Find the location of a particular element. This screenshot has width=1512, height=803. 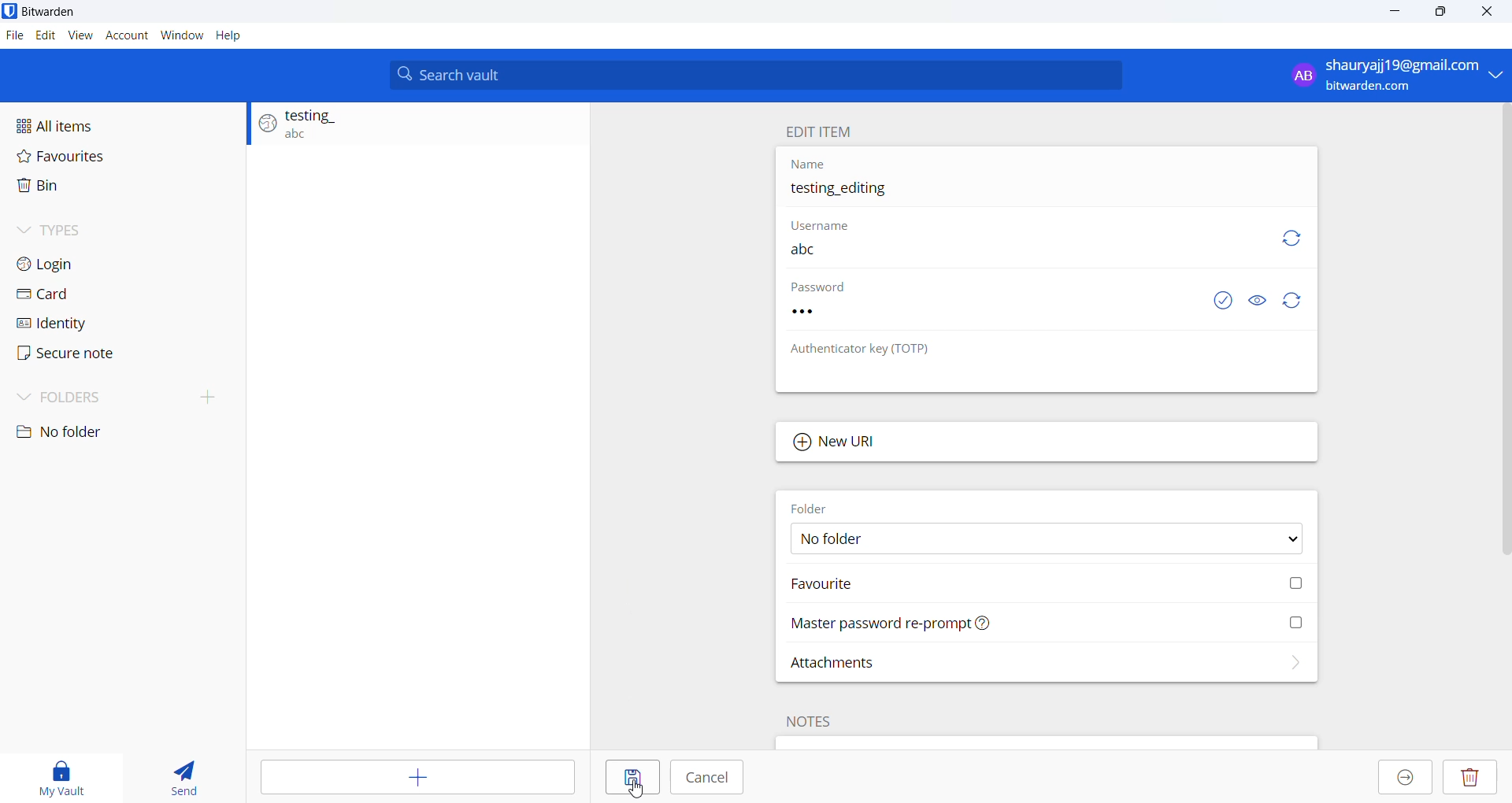

Master password reprompt is located at coordinates (1045, 622).